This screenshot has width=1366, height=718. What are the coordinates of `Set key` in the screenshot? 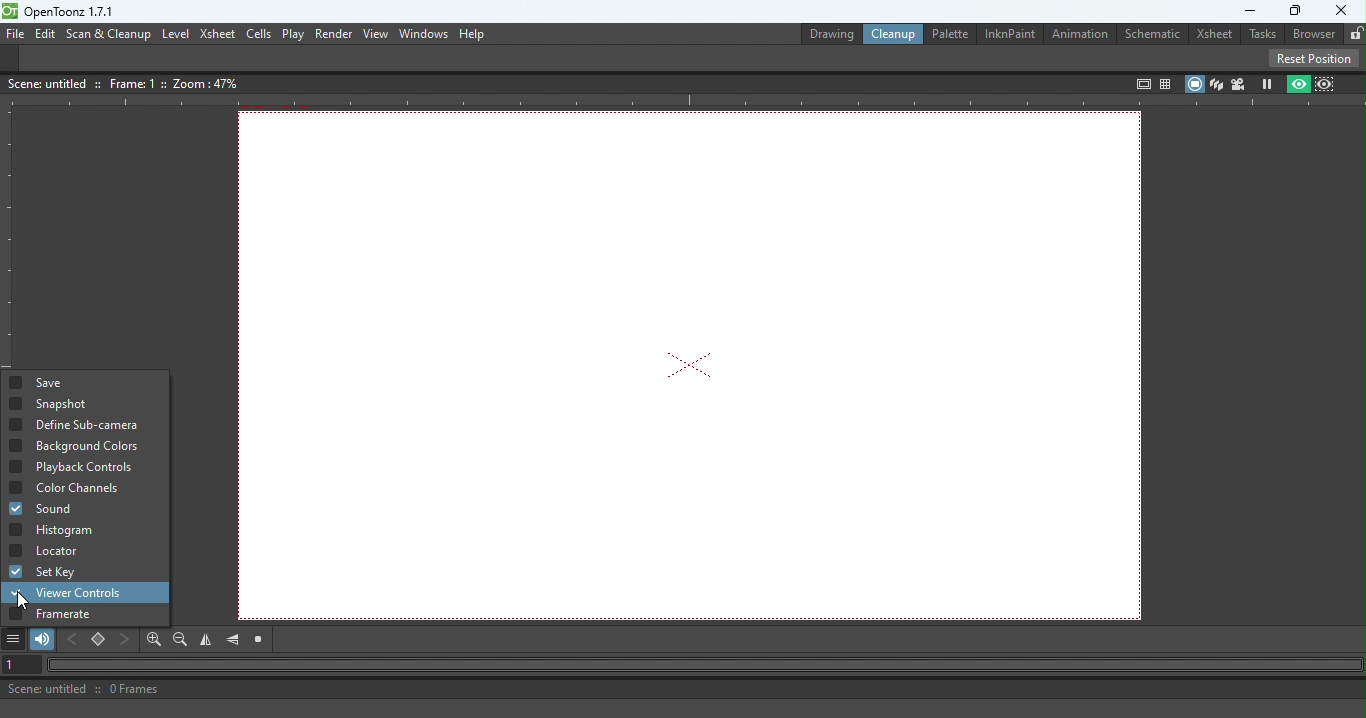 It's located at (99, 641).